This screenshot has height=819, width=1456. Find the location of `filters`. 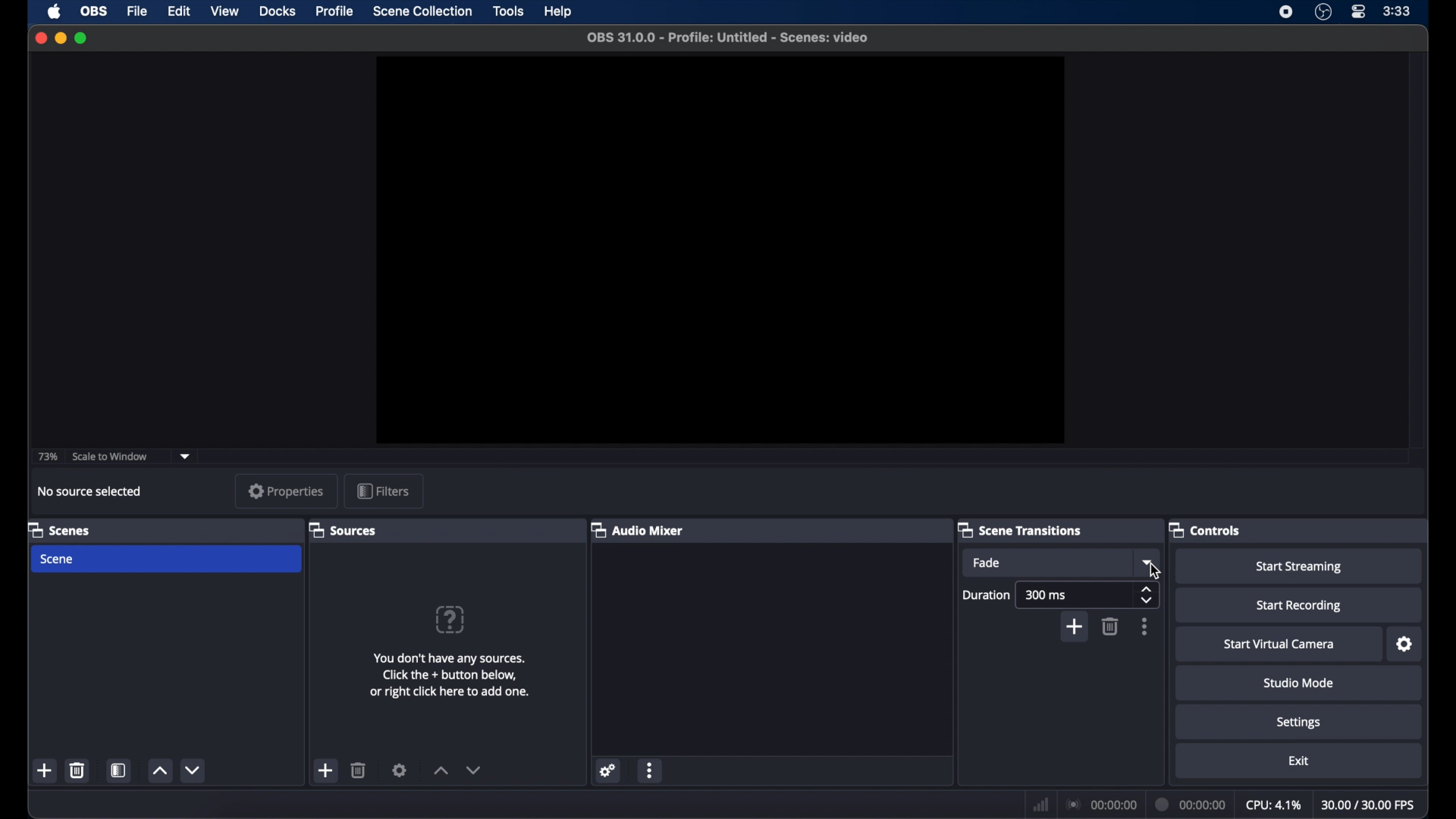

filters is located at coordinates (385, 490).